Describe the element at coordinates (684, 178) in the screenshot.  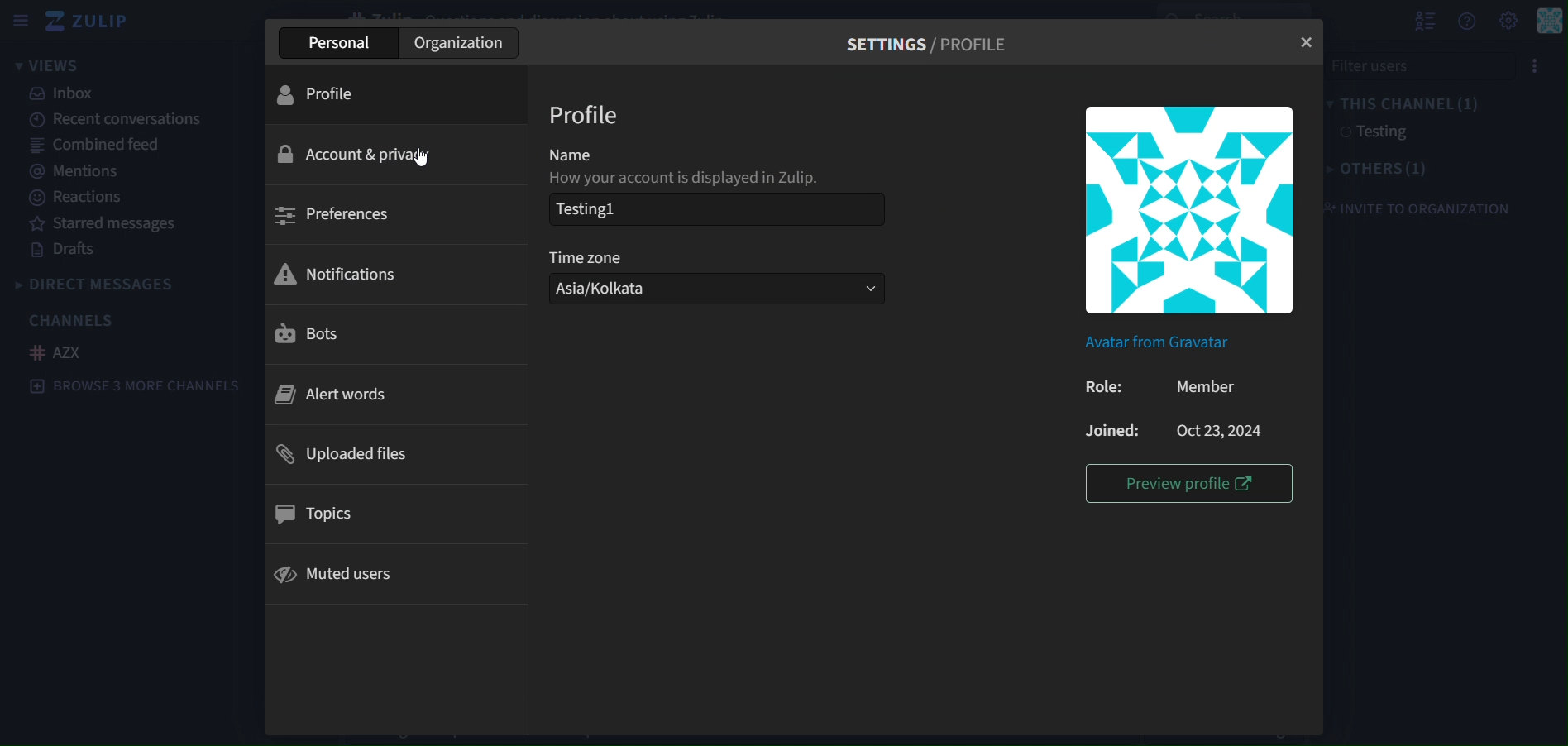
I see `how your account is displayed in Zulip` at that location.